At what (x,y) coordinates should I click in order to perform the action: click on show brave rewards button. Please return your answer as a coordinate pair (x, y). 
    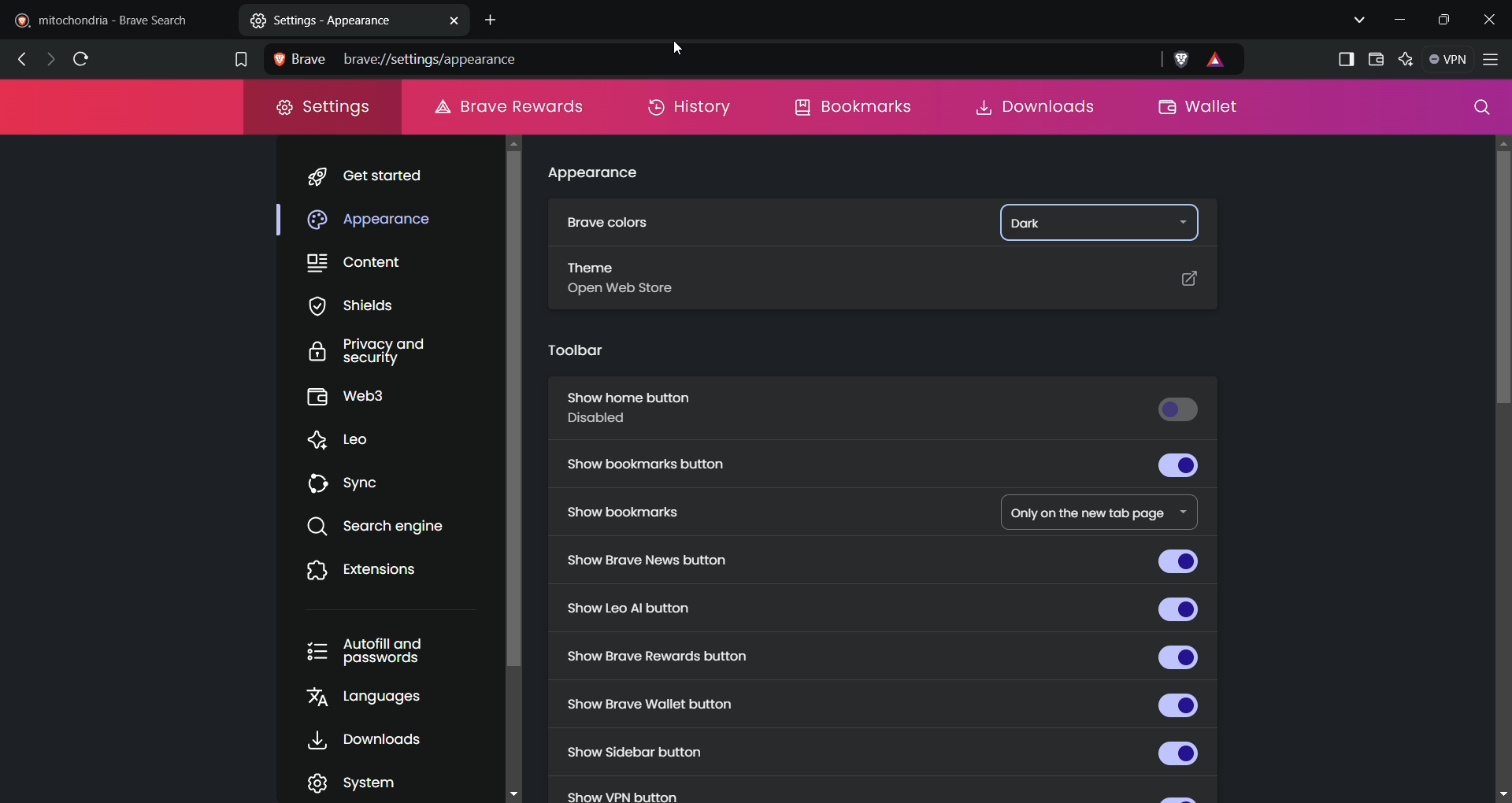
    Looking at the image, I should click on (880, 656).